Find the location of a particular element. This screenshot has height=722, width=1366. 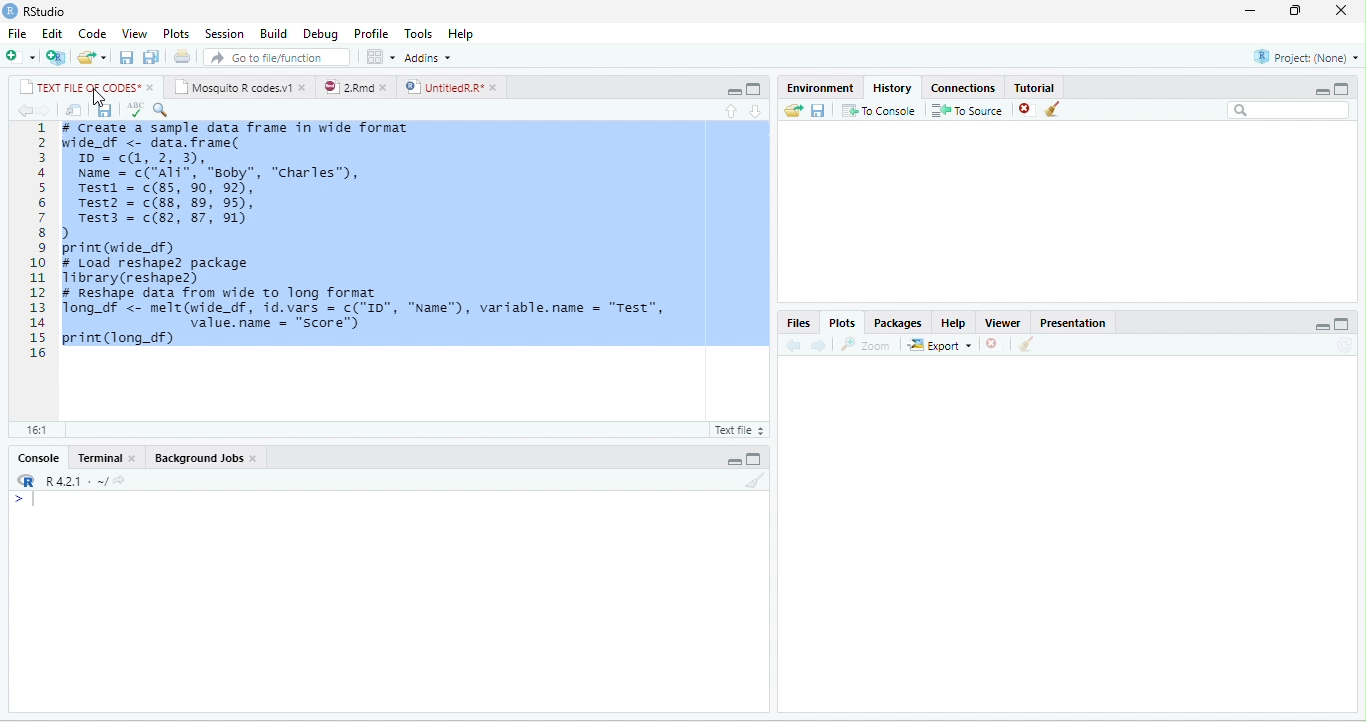

forward is located at coordinates (44, 110).